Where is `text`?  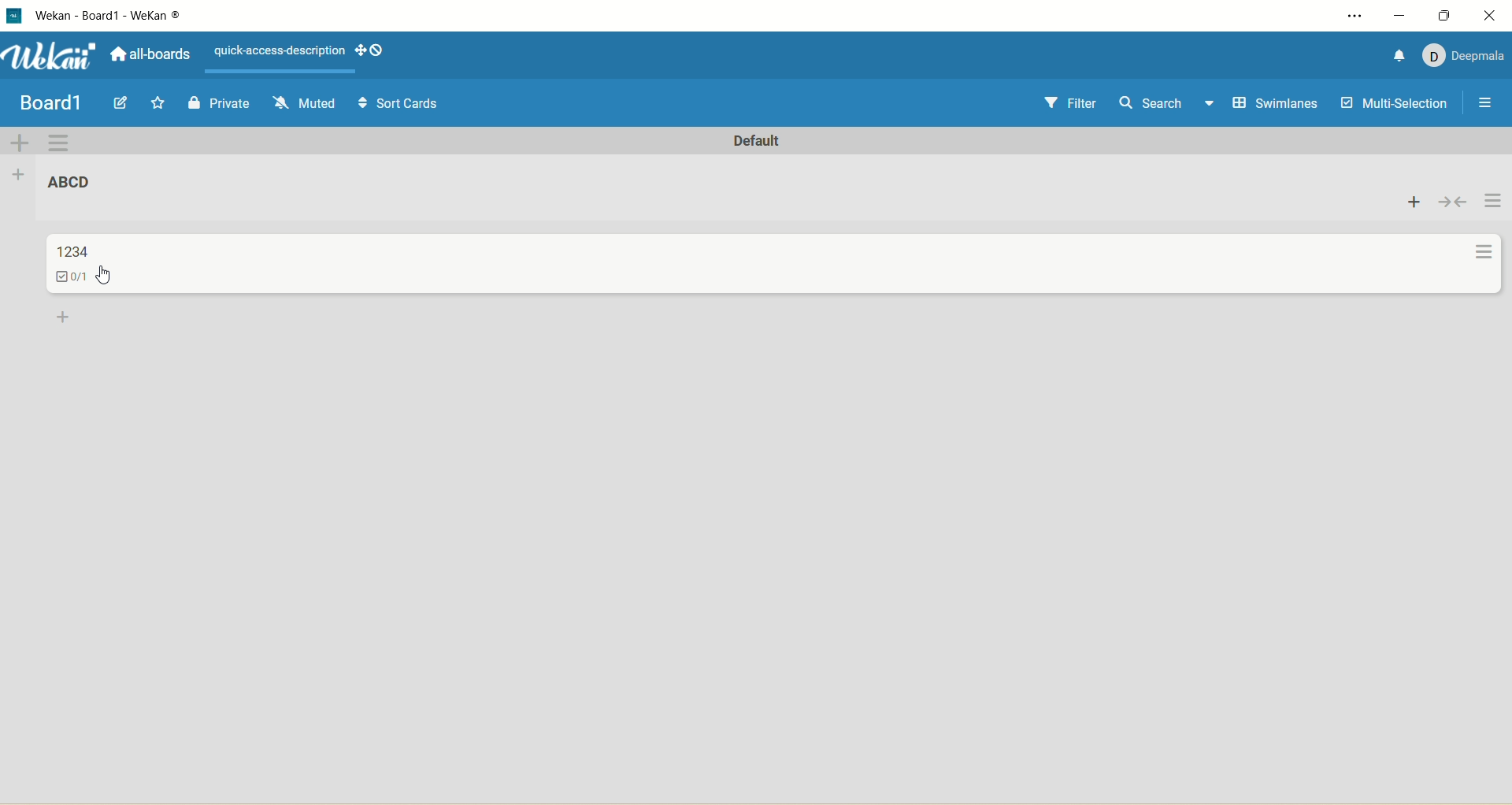
text is located at coordinates (280, 52).